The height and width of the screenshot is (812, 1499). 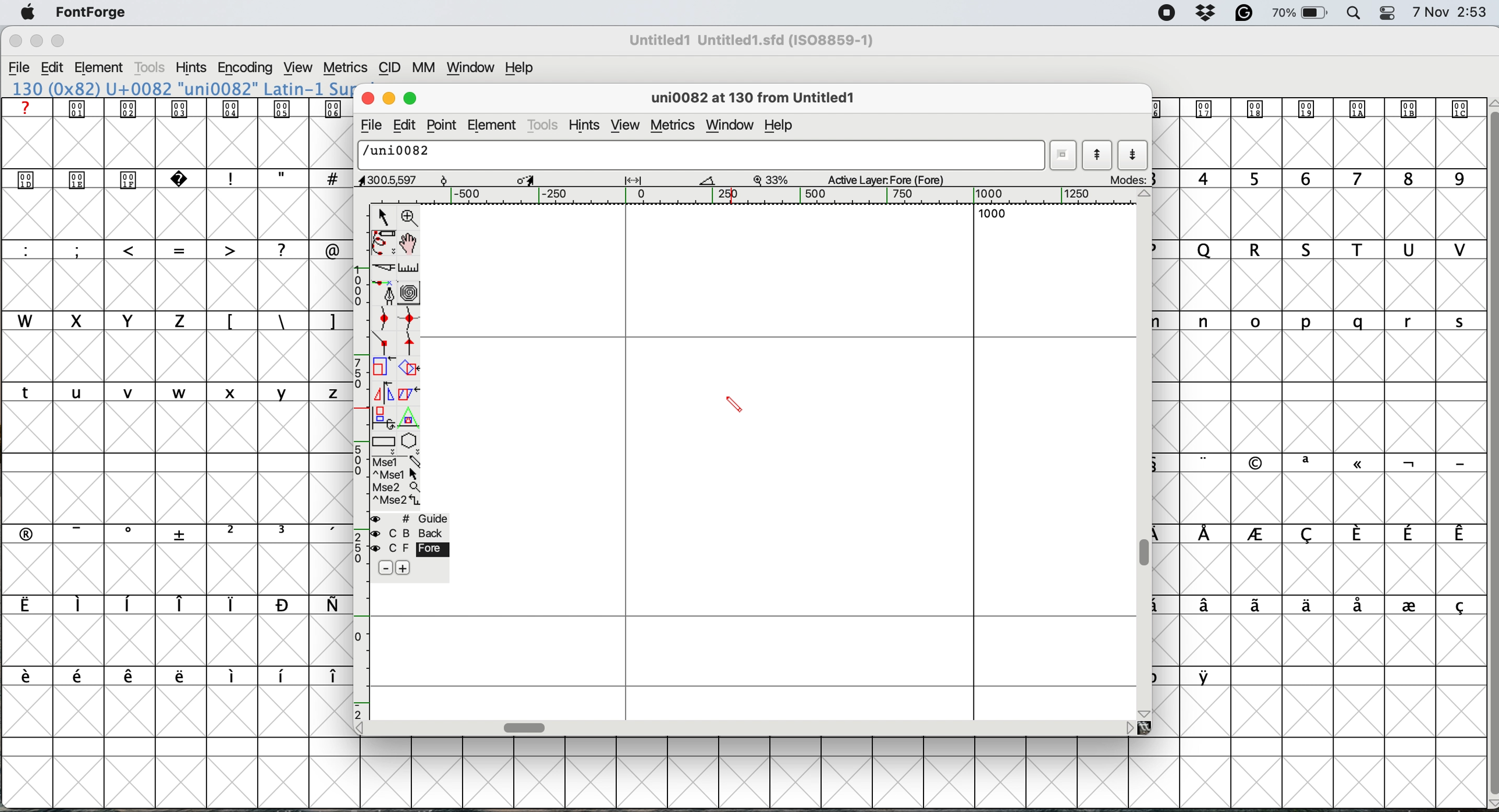 I want to click on file, so click(x=22, y=69).